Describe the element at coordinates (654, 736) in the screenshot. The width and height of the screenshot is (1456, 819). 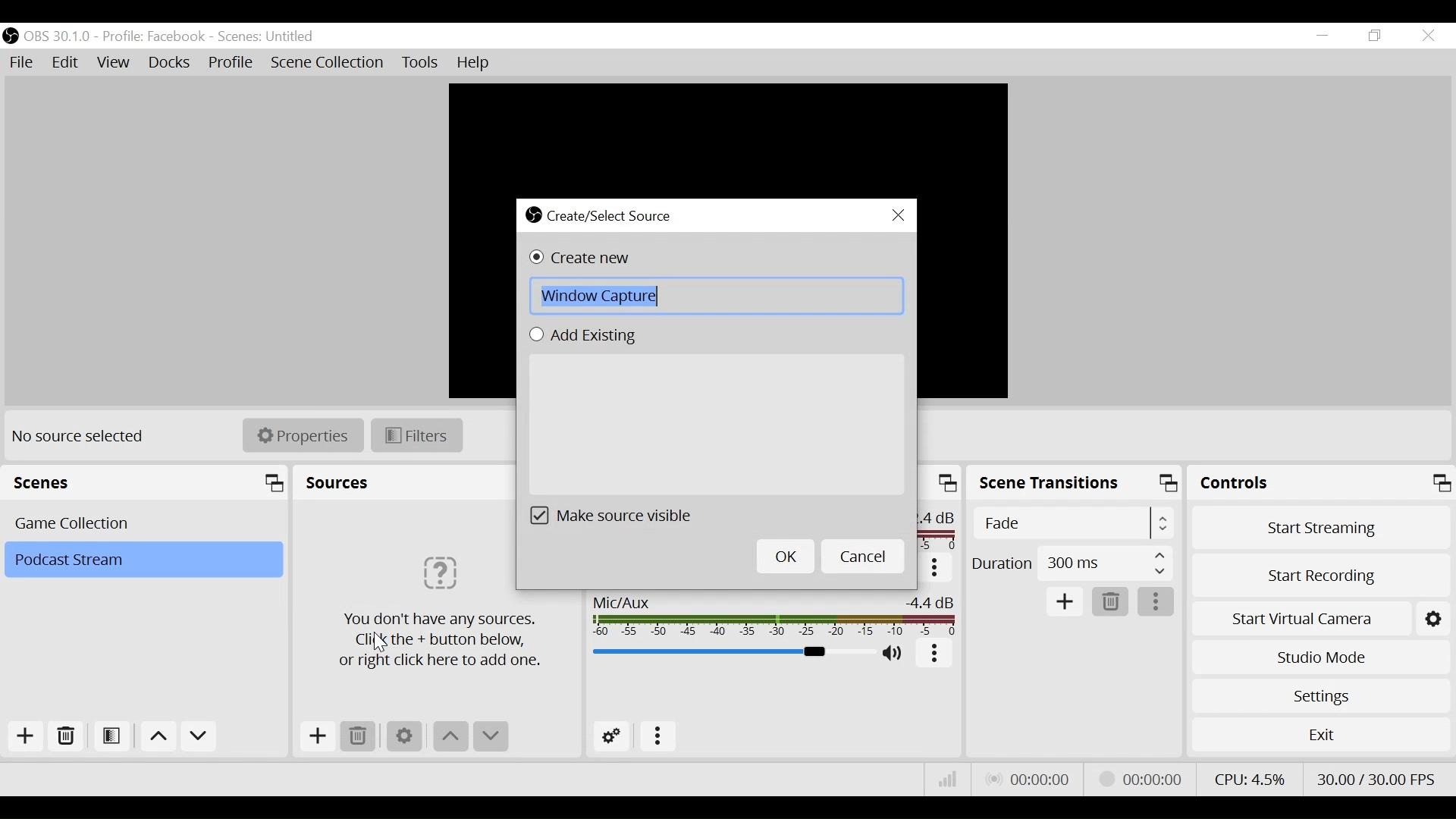
I see `More Options` at that location.